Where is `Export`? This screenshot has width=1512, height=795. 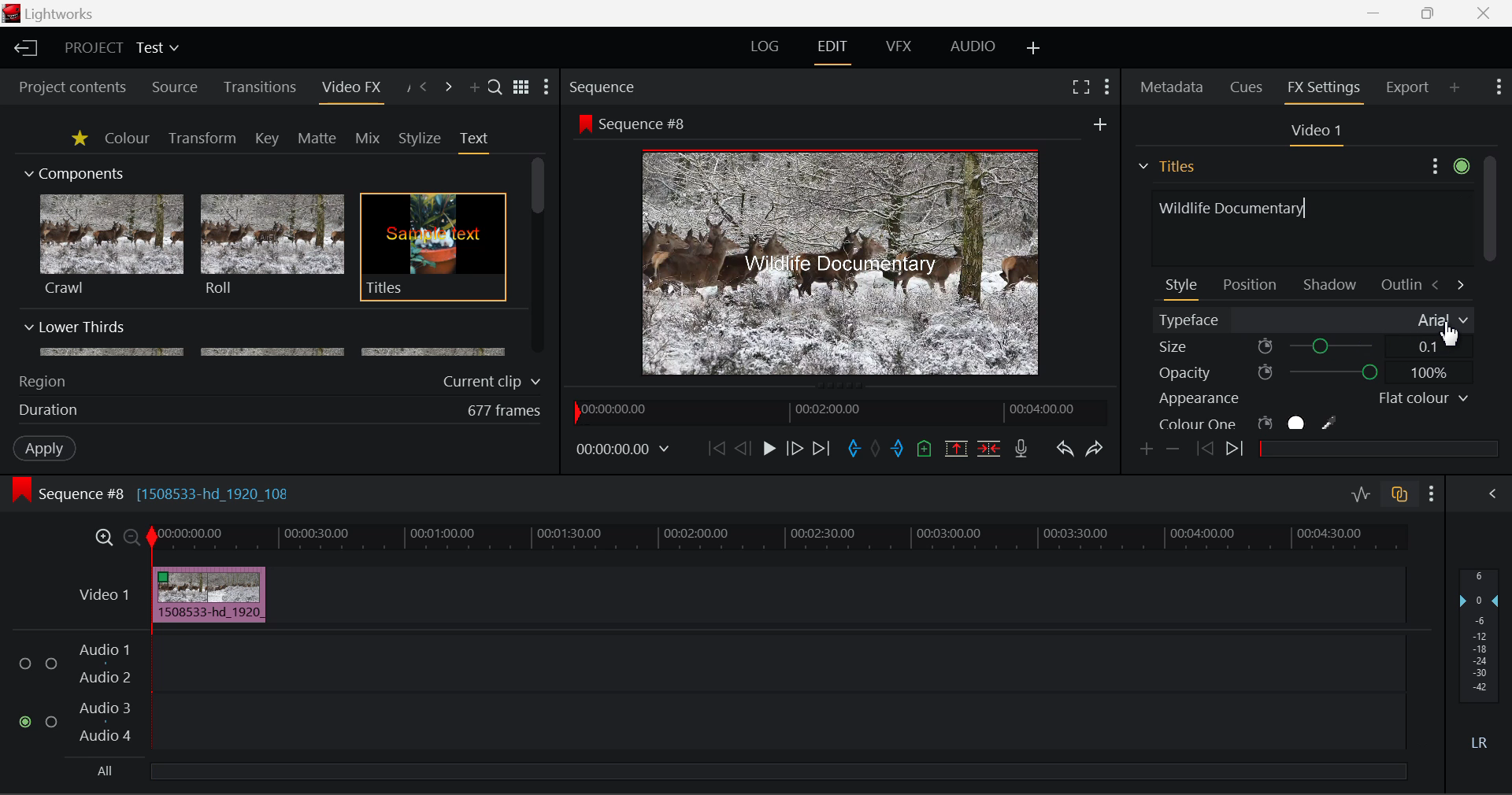
Export is located at coordinates (1408, 87).